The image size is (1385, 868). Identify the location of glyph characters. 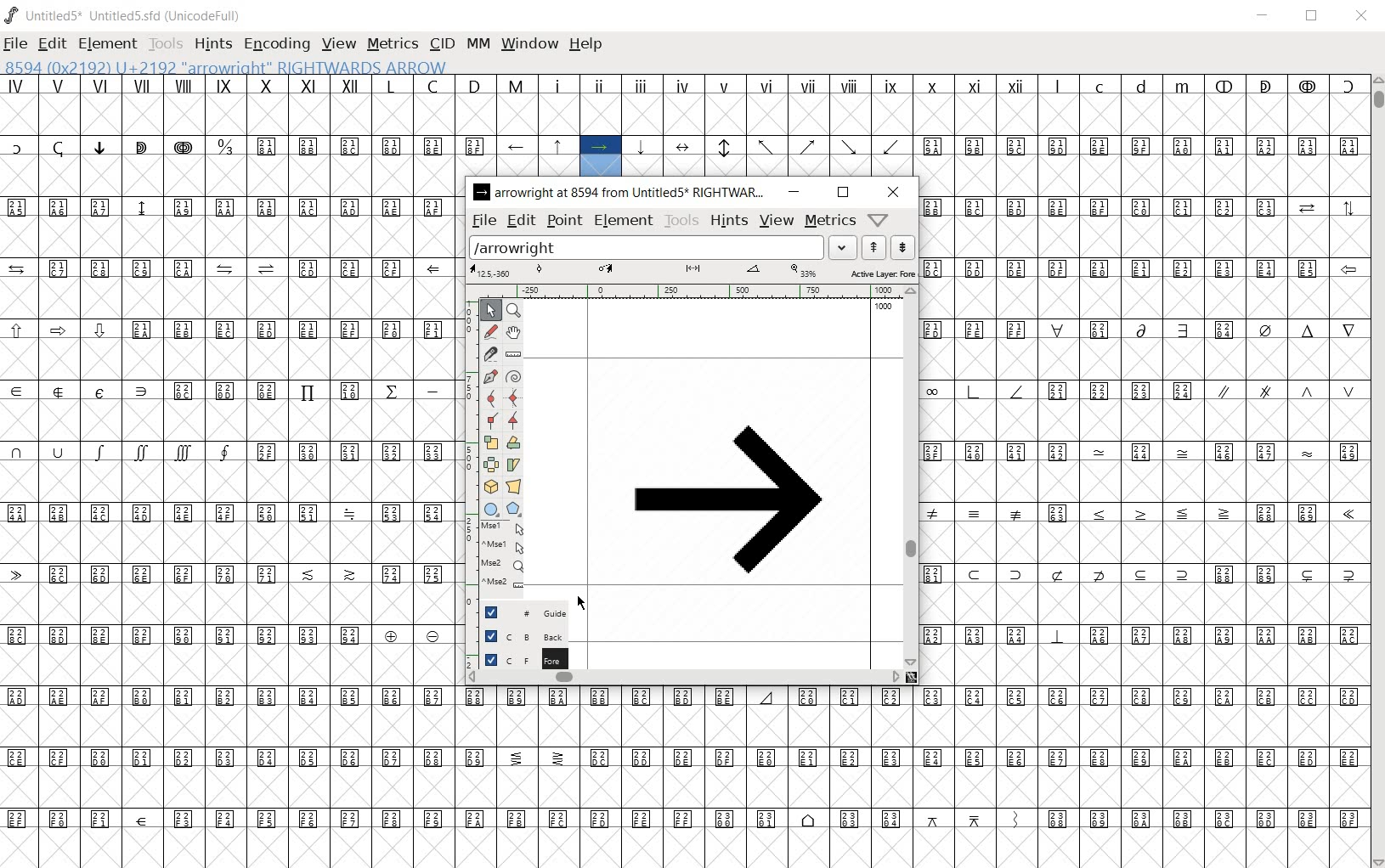
(911, 807).